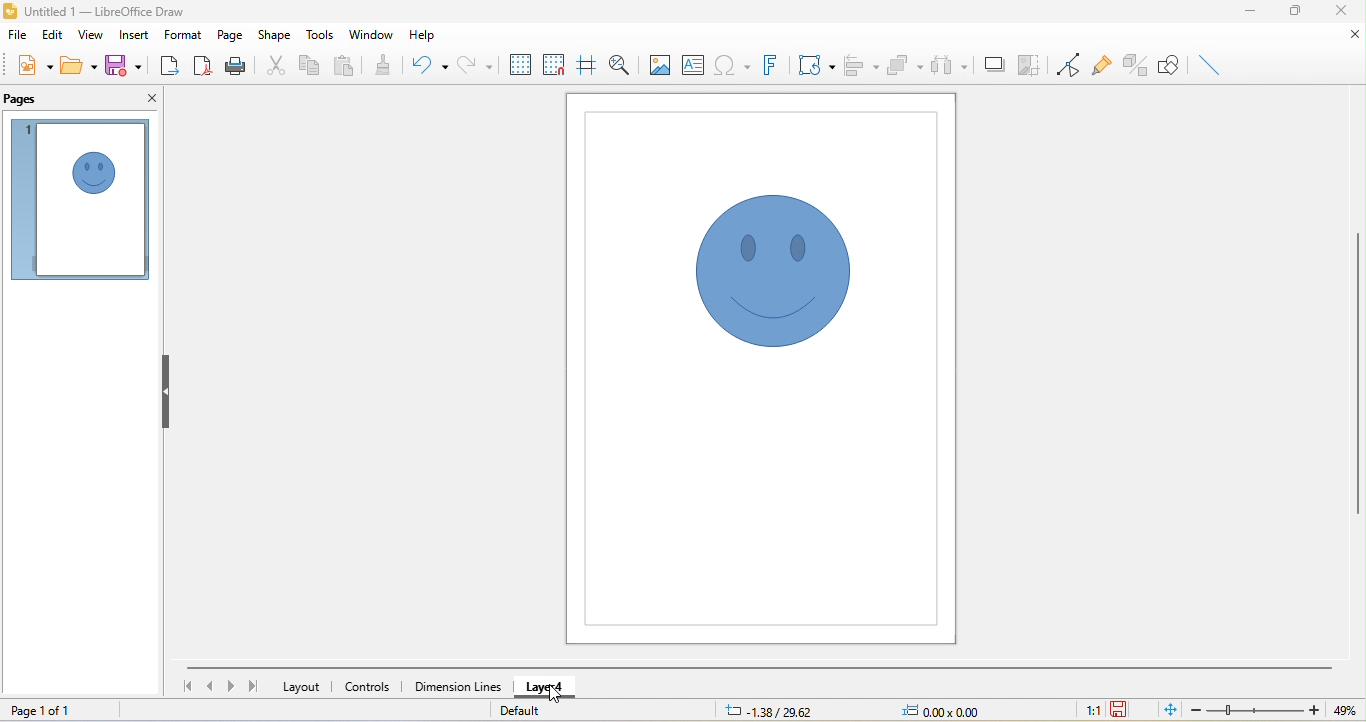  I want to click on dimension lines, so click(457, 685).